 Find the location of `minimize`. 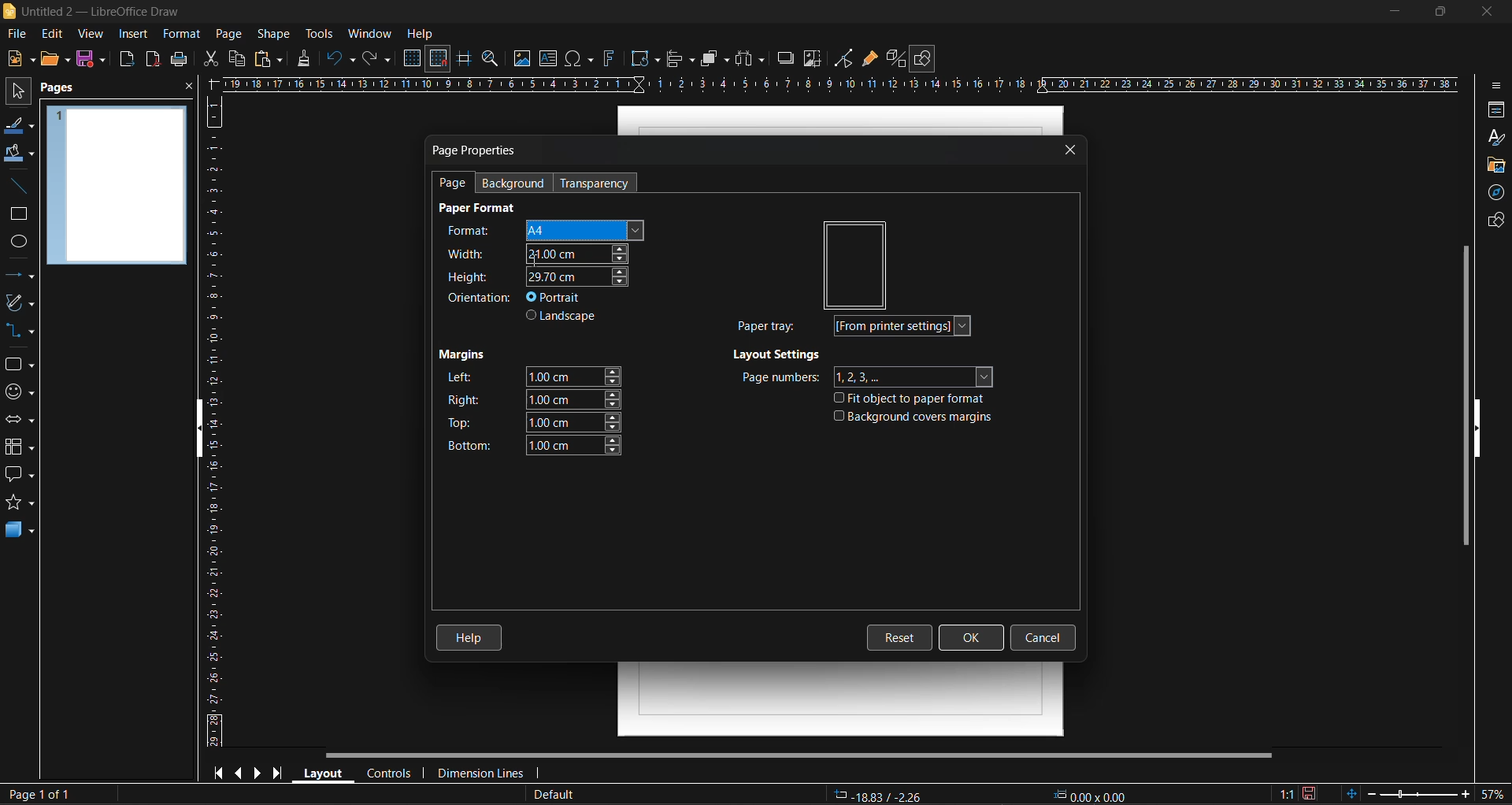

minimize is located at coordinates (1389, 12).